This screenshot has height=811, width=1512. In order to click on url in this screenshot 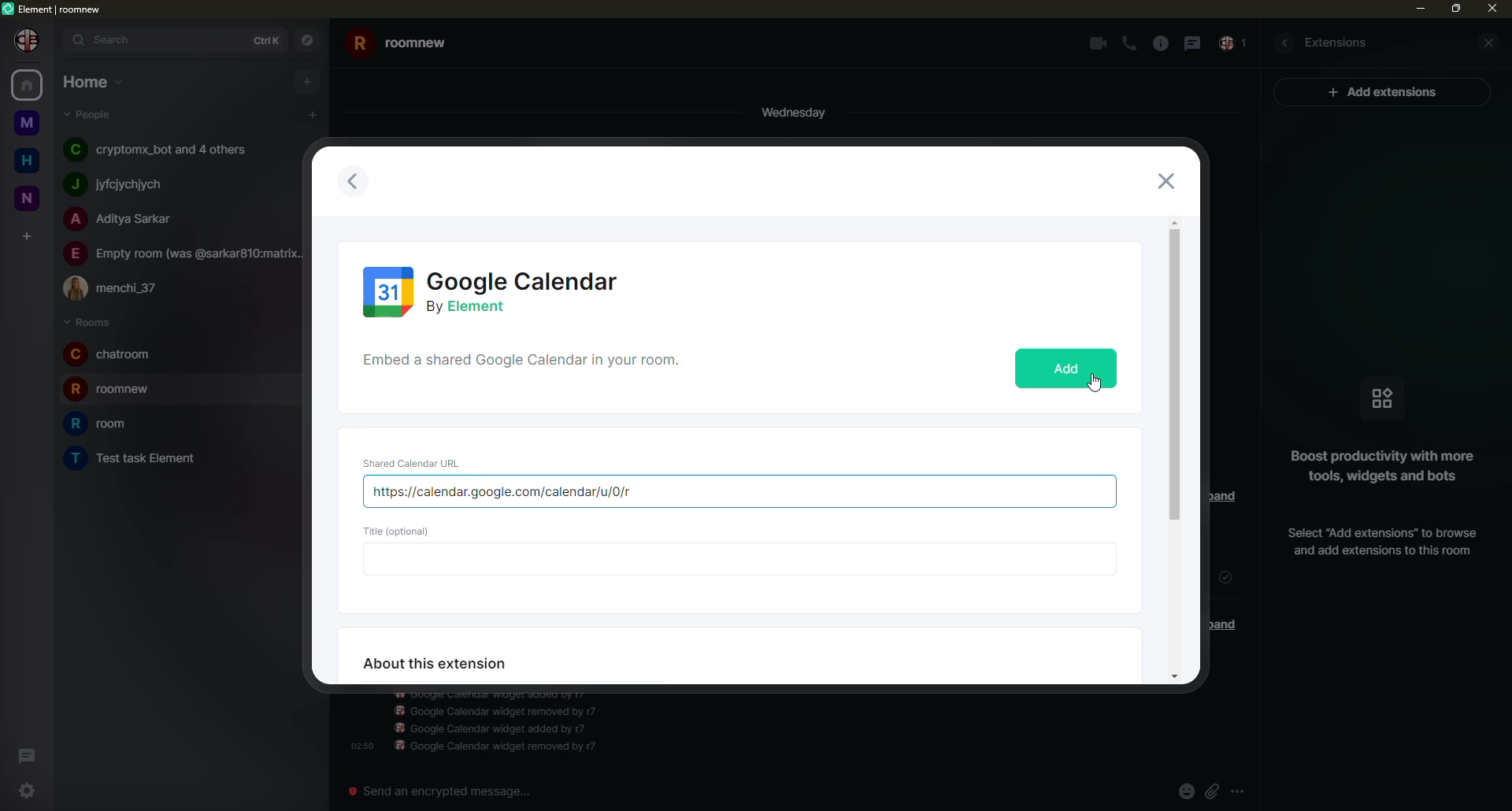, I will do `click(417, 461)`.